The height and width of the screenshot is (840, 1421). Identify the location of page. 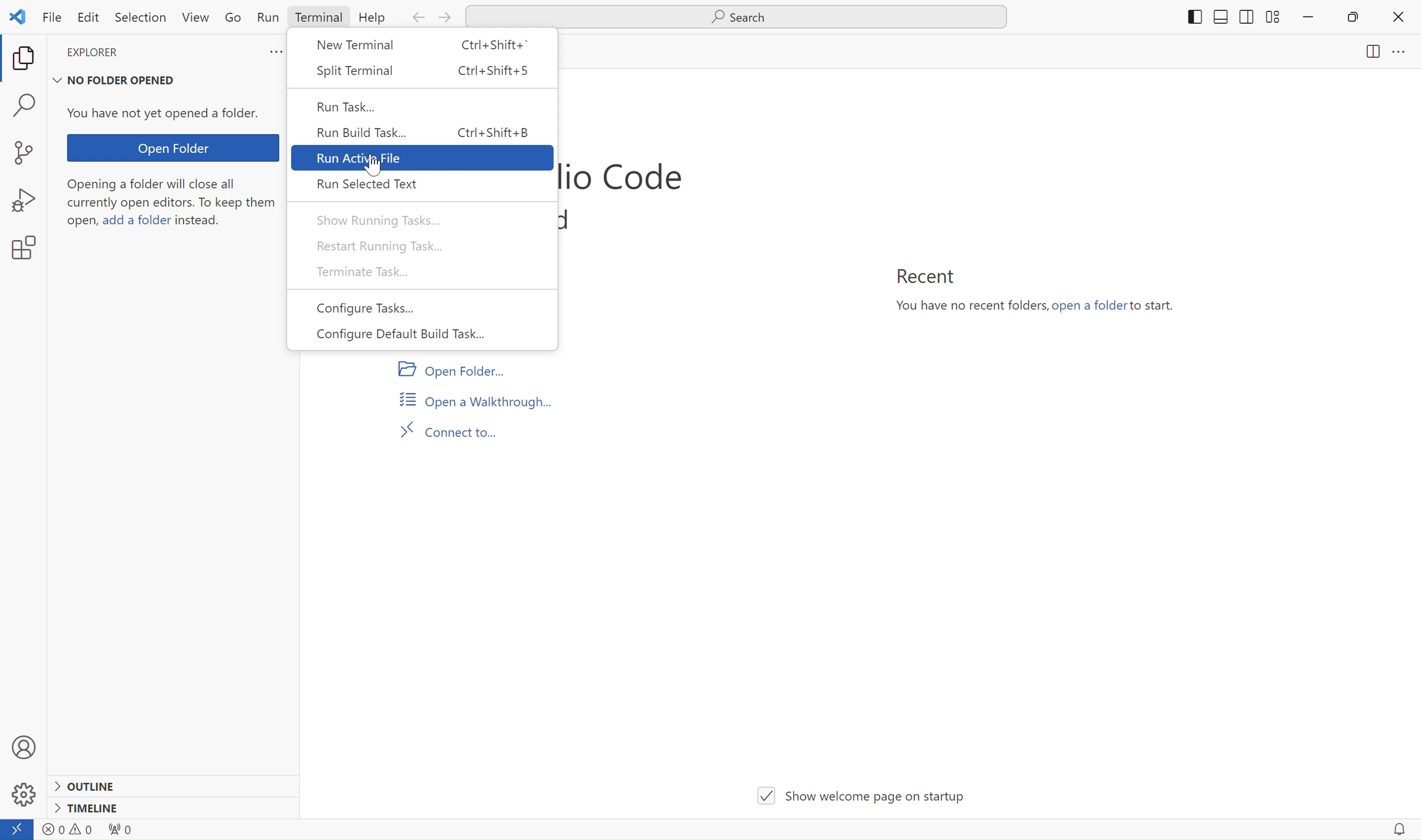
(1362, 57).